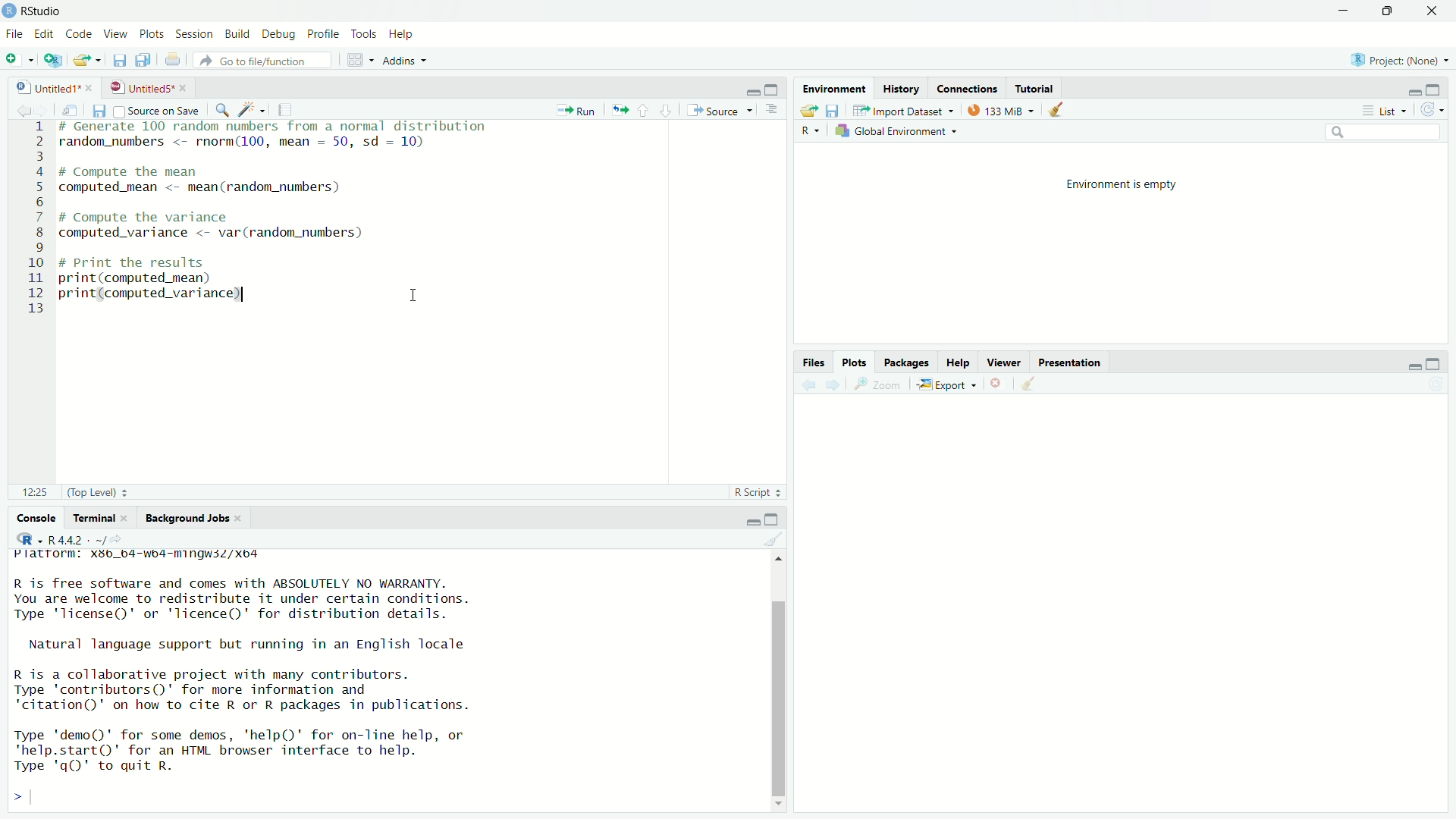 This screenshot has height=819, width=1456. I want to click on # Compute the mean, so click(191, 171).